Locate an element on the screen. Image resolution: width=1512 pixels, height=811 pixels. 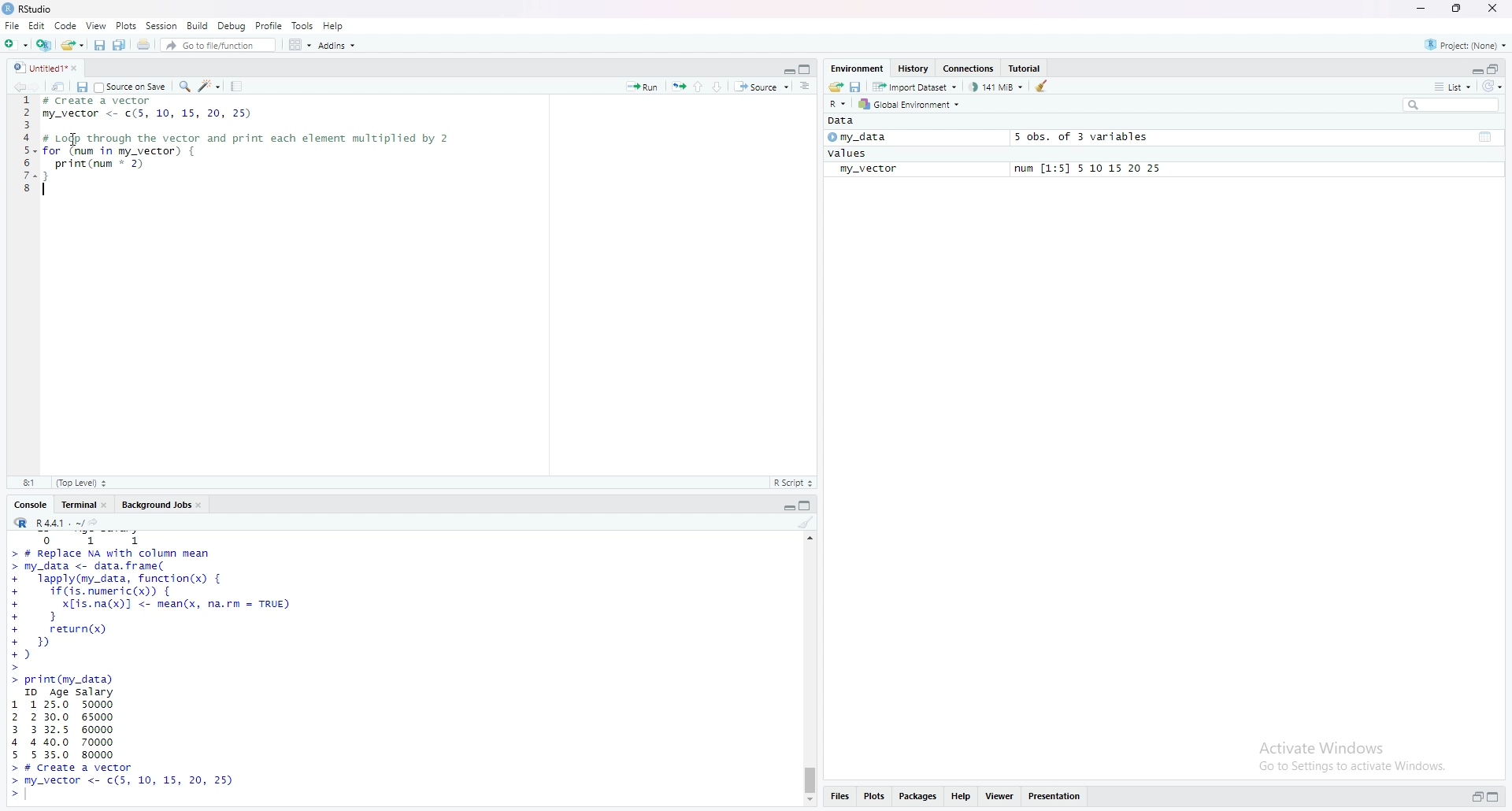
values is located at coordinates (850, 154).